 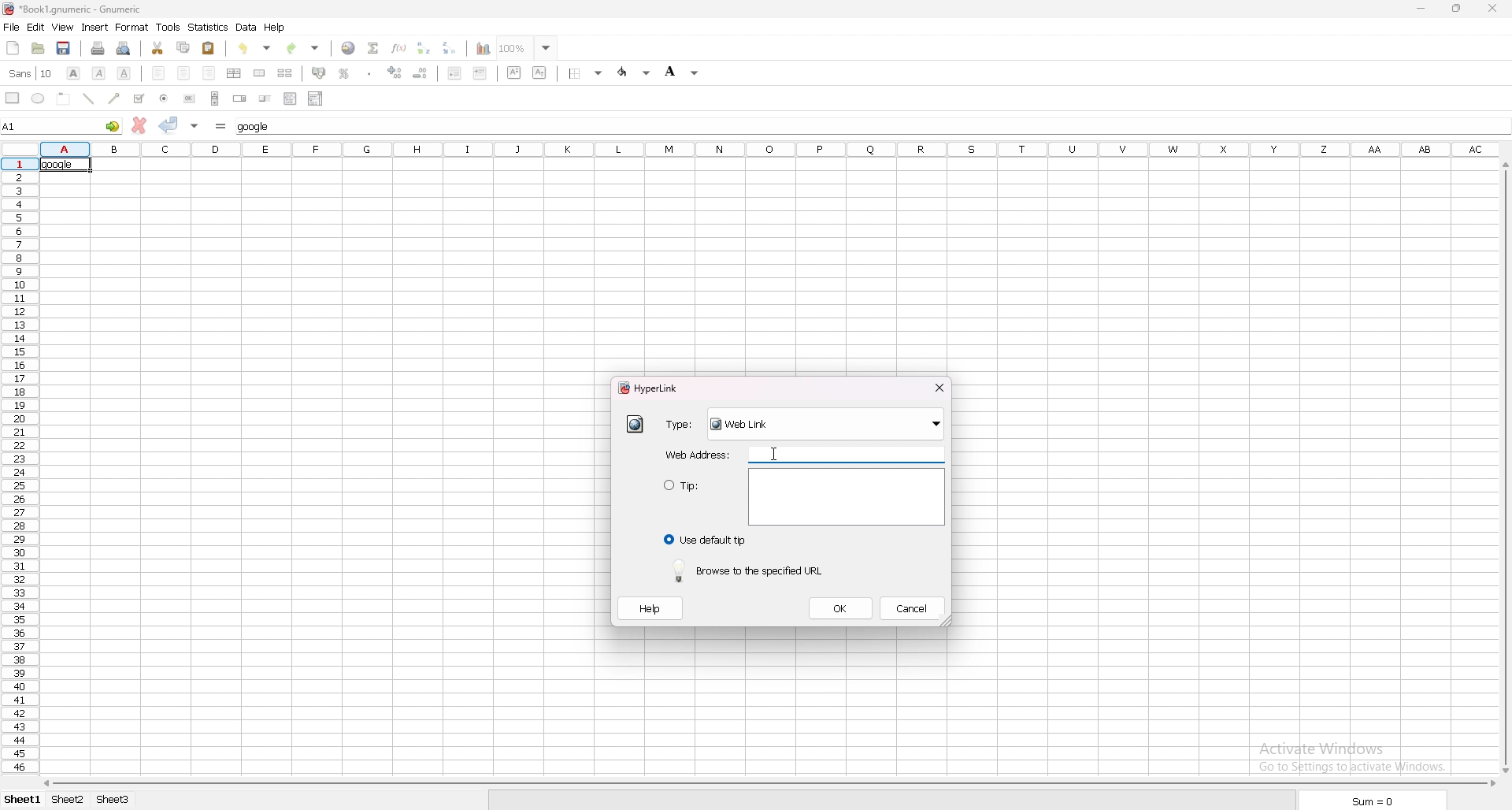 I want to click on sum = 0, so click(x=1377, y=801).